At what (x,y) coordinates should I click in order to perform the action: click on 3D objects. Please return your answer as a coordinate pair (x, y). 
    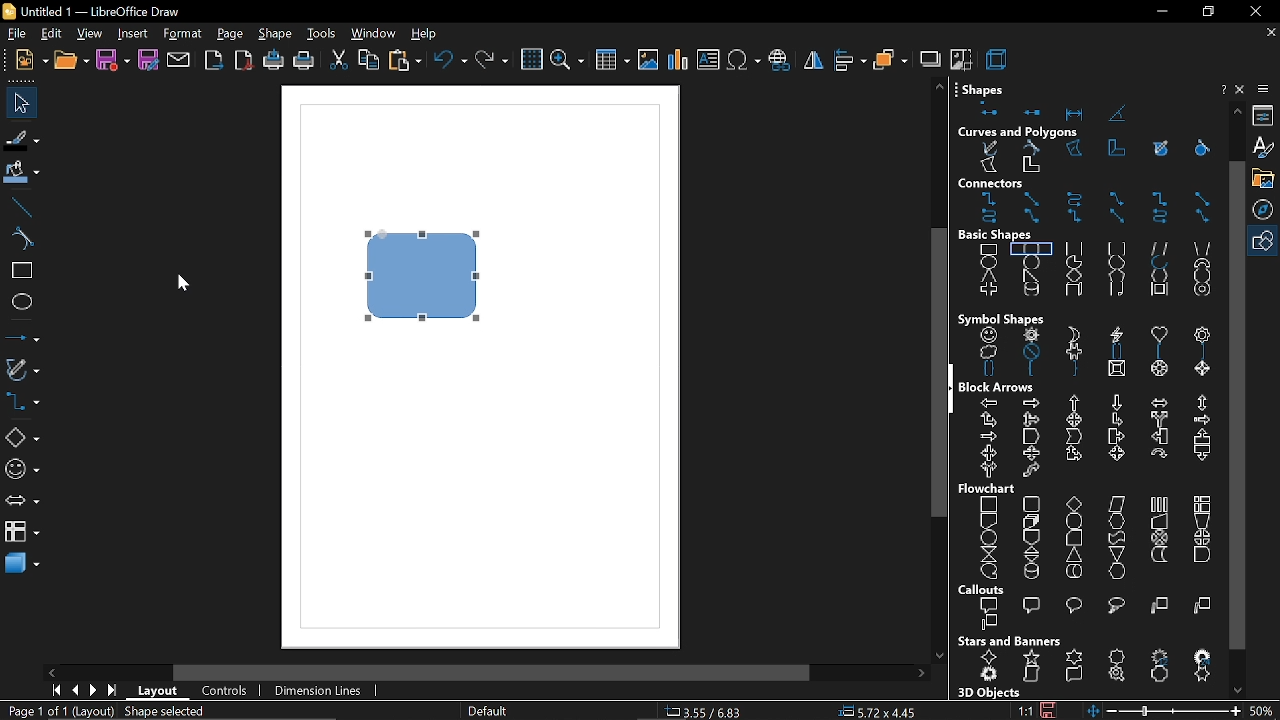
    Looking at the image, I should click on (987, 693).